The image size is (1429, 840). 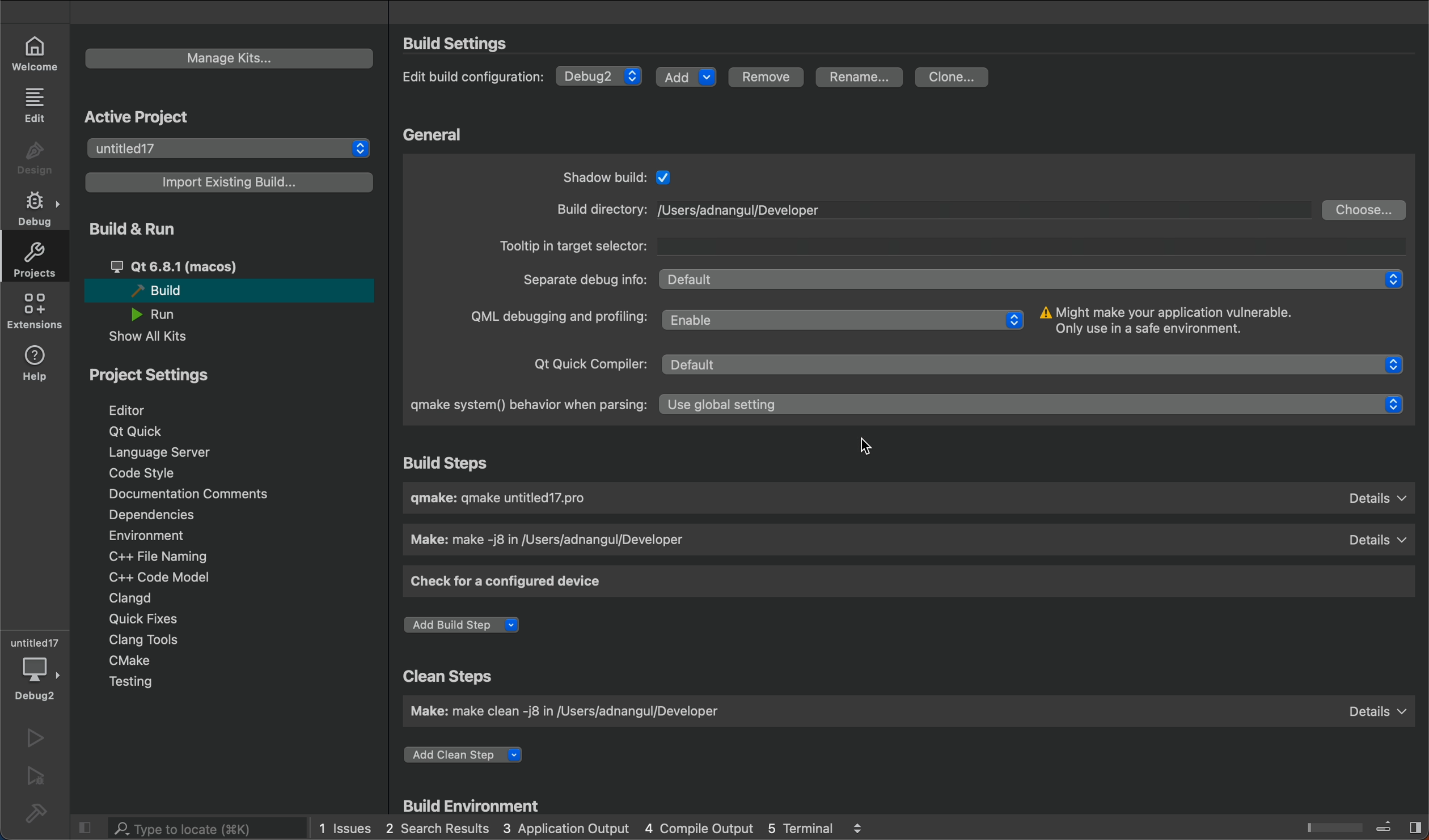 I want to click on check for a configured device, so click(x=507, y=583).